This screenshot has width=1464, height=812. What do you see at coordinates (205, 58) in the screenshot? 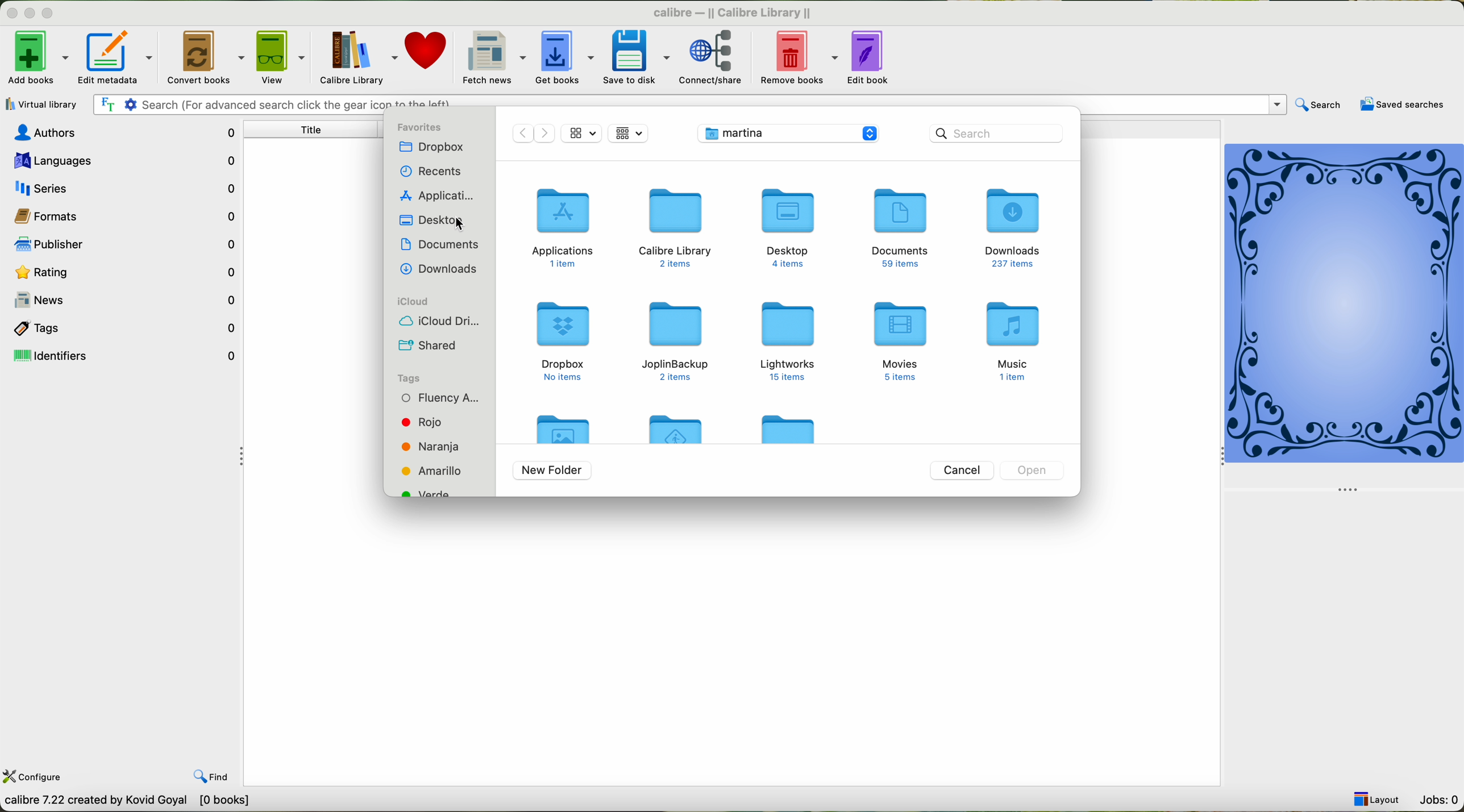
I see `convert books` at bounding box center [205, 58].